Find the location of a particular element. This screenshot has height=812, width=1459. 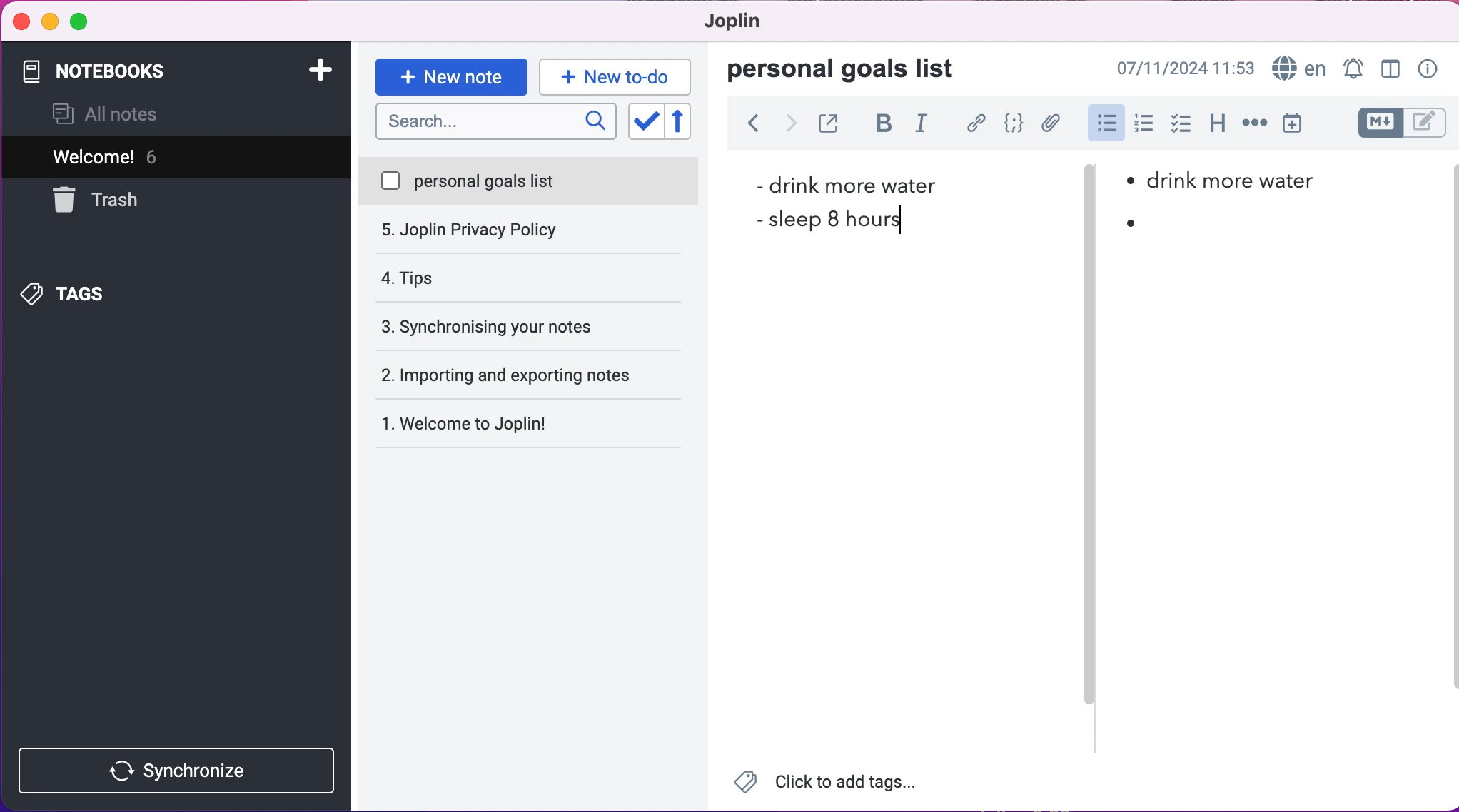

joplin is located at coordinates (748, 24).